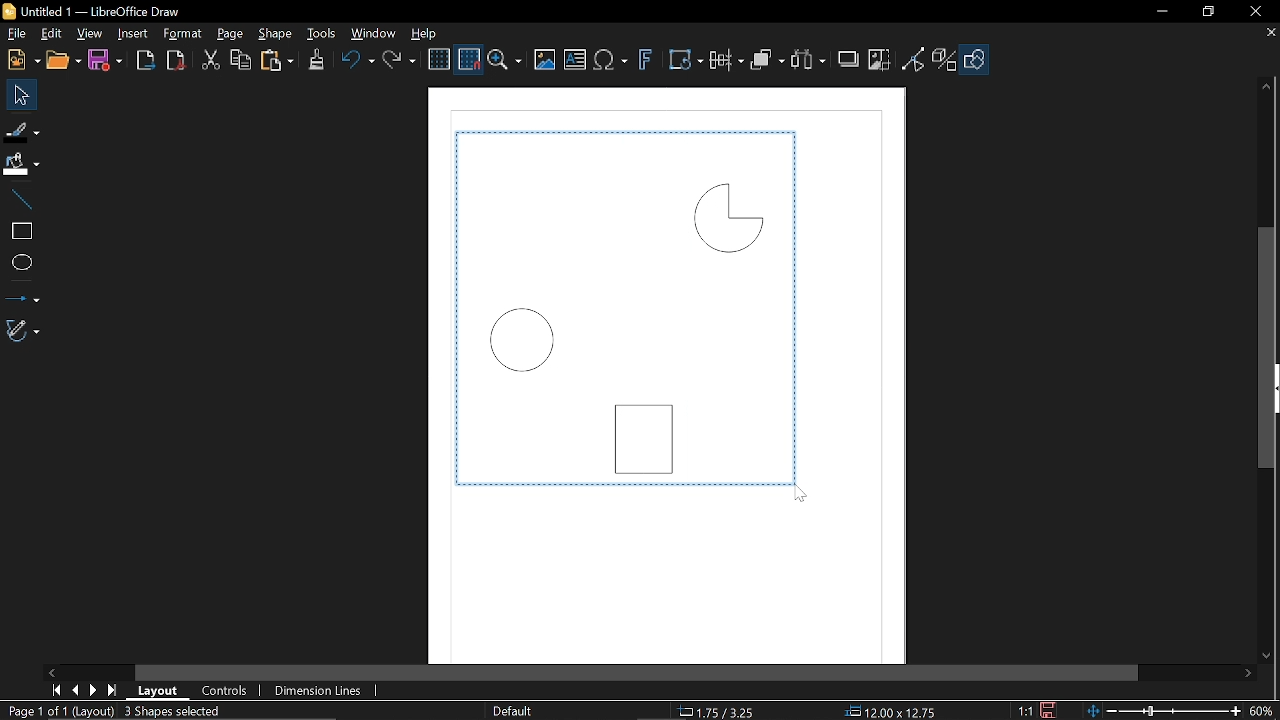 This screenshot has width=1280, height=720. Describe the element at coordinates (1266, 346) in the screenshot. I see `Vertical scrollbar` at that location.